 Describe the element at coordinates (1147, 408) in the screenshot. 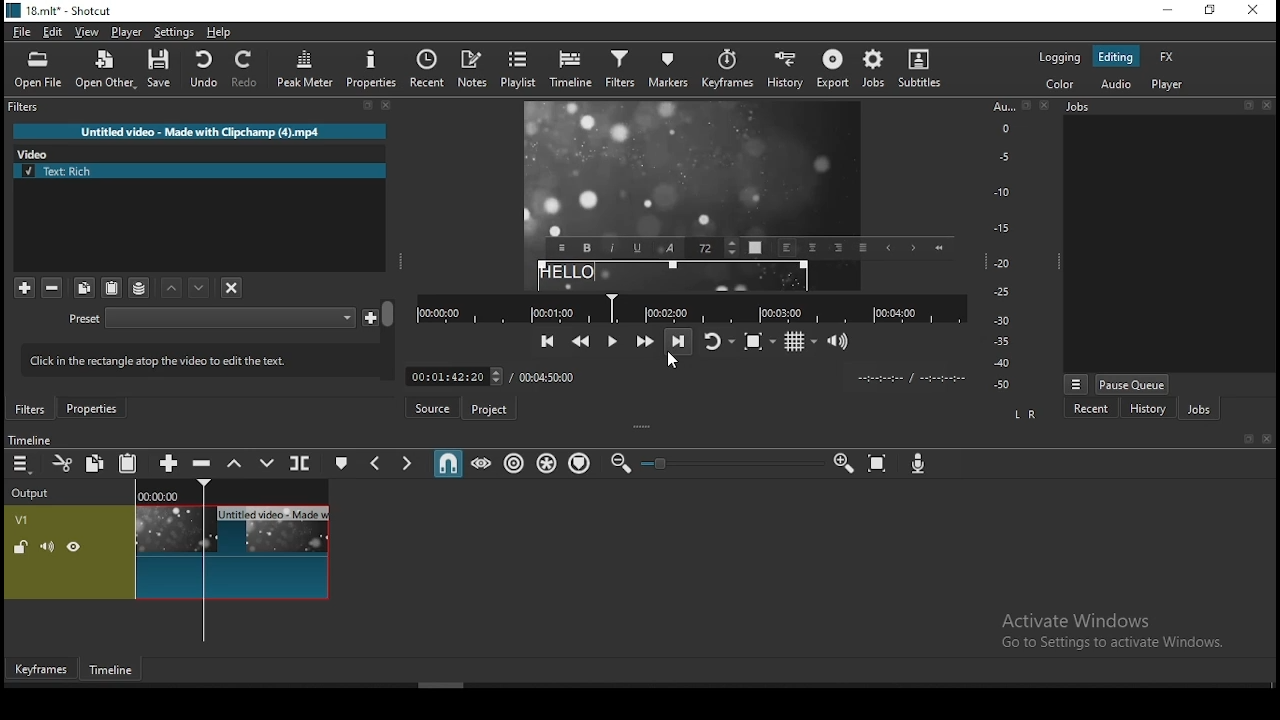

I see `history` at that location.